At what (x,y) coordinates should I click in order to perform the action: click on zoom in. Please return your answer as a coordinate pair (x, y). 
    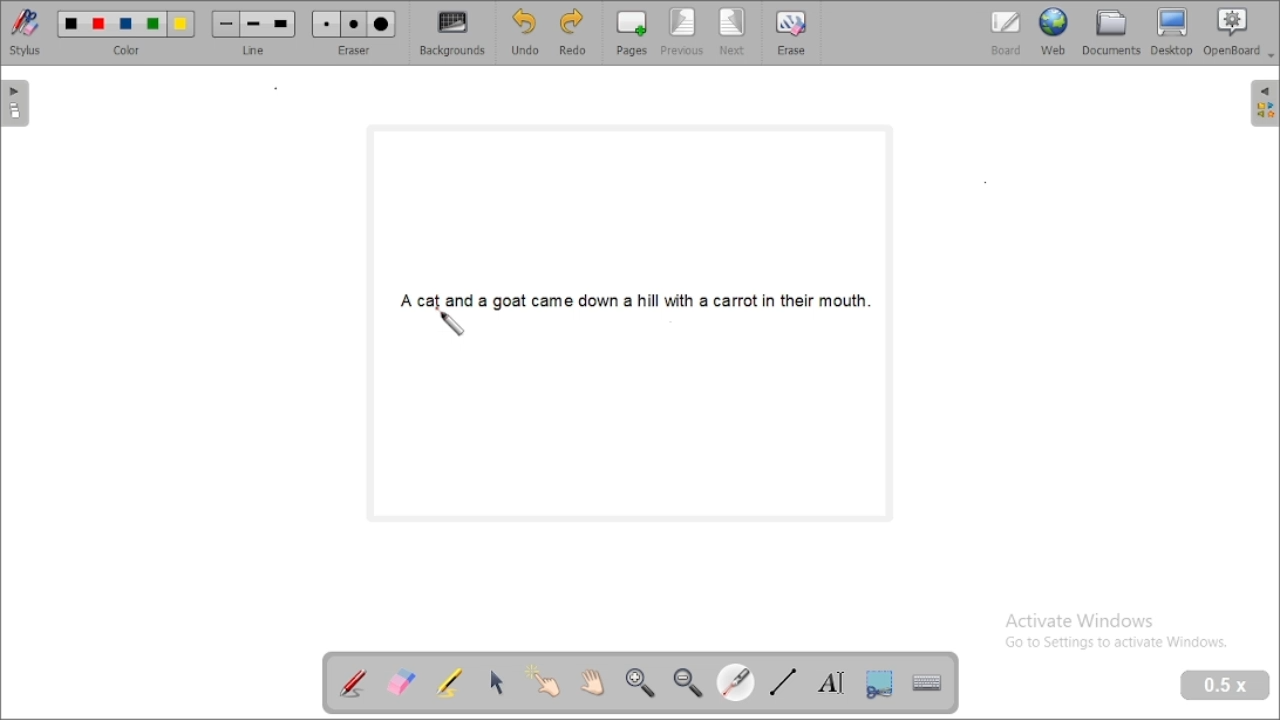
    Looking at the image, I should click on (641, 684).